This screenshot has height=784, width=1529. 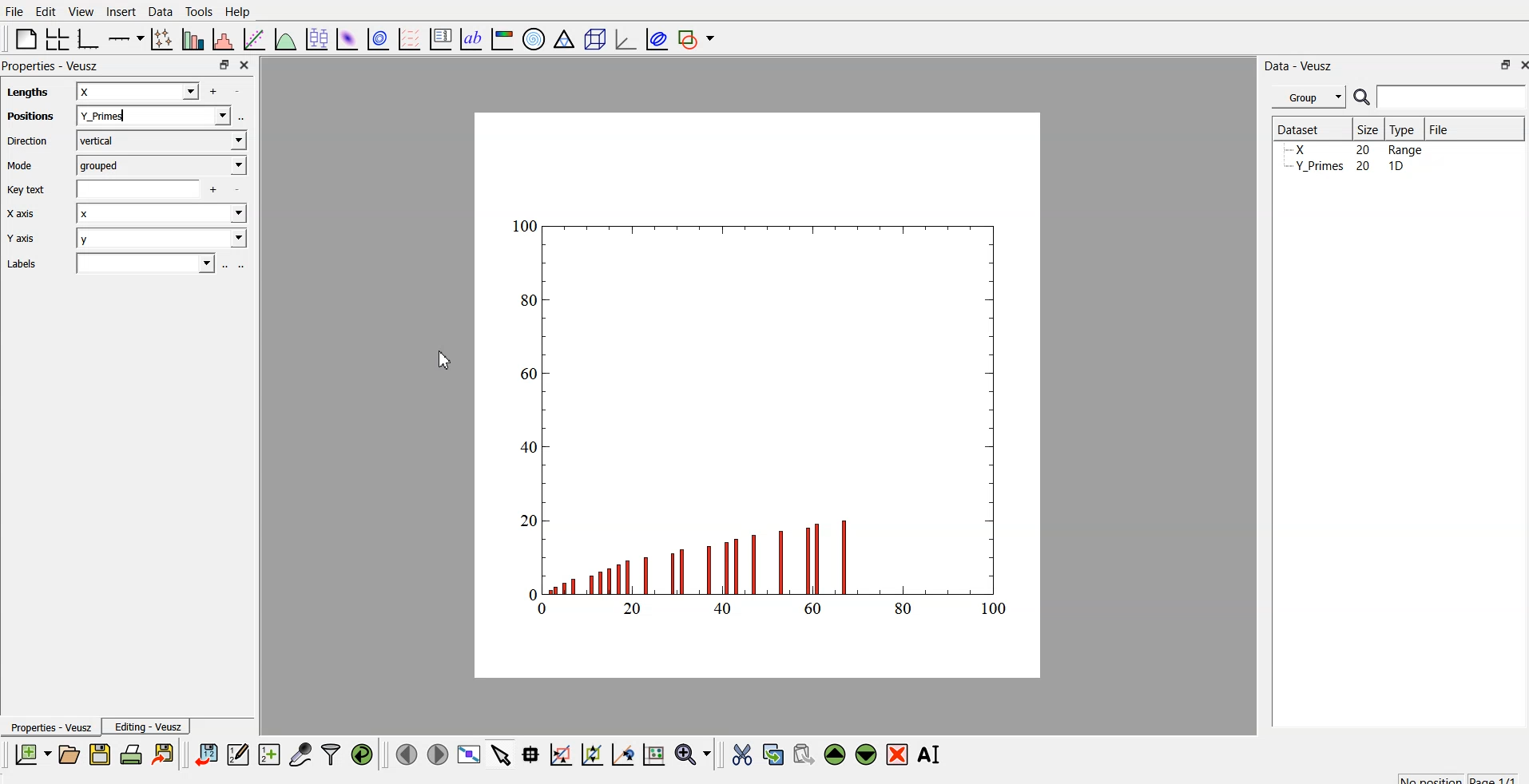 I want to click on y planes... 20 10, so click(x=1352, y=168).